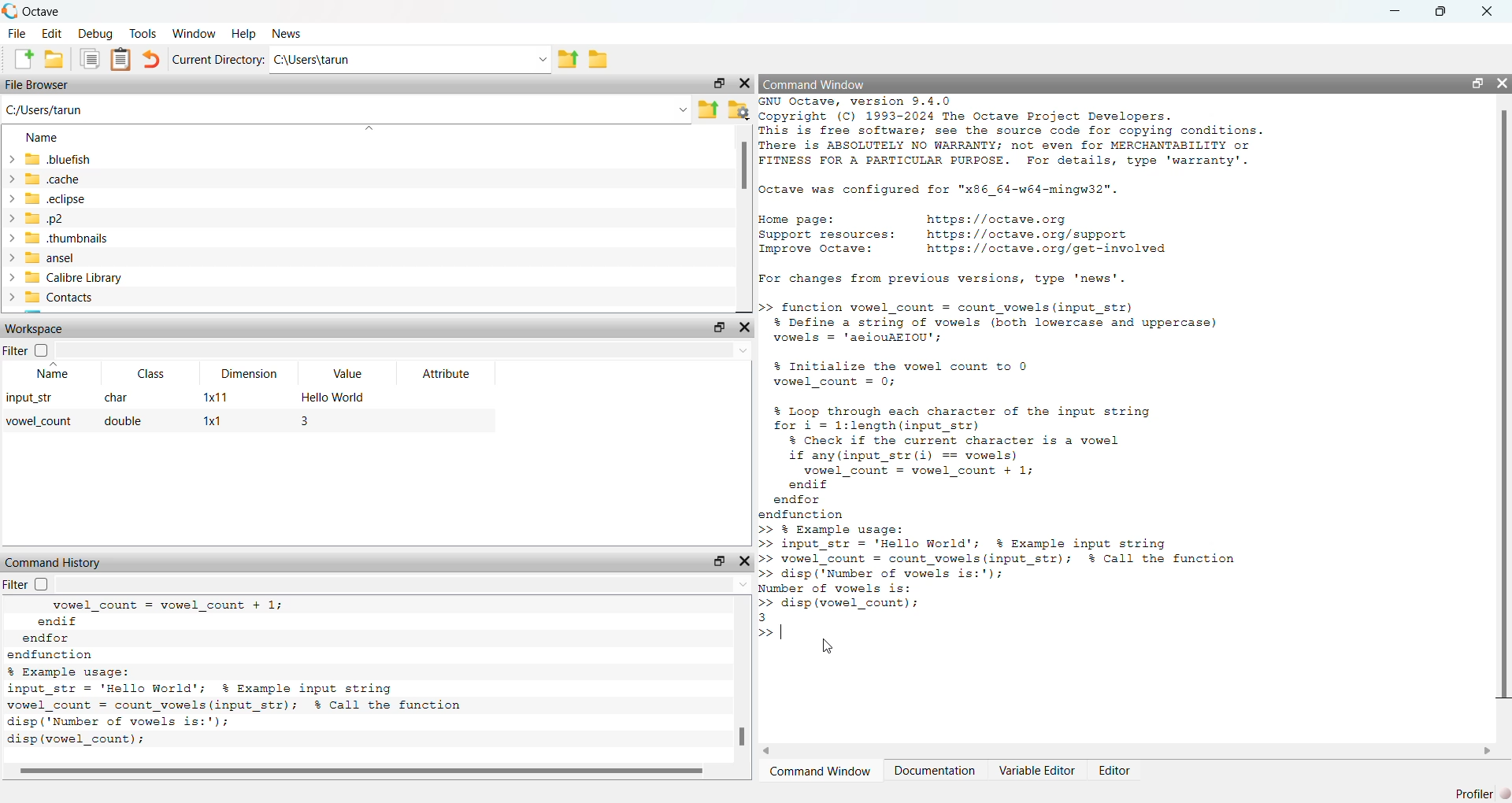  I want to click on Dimension, so click(250, 373).